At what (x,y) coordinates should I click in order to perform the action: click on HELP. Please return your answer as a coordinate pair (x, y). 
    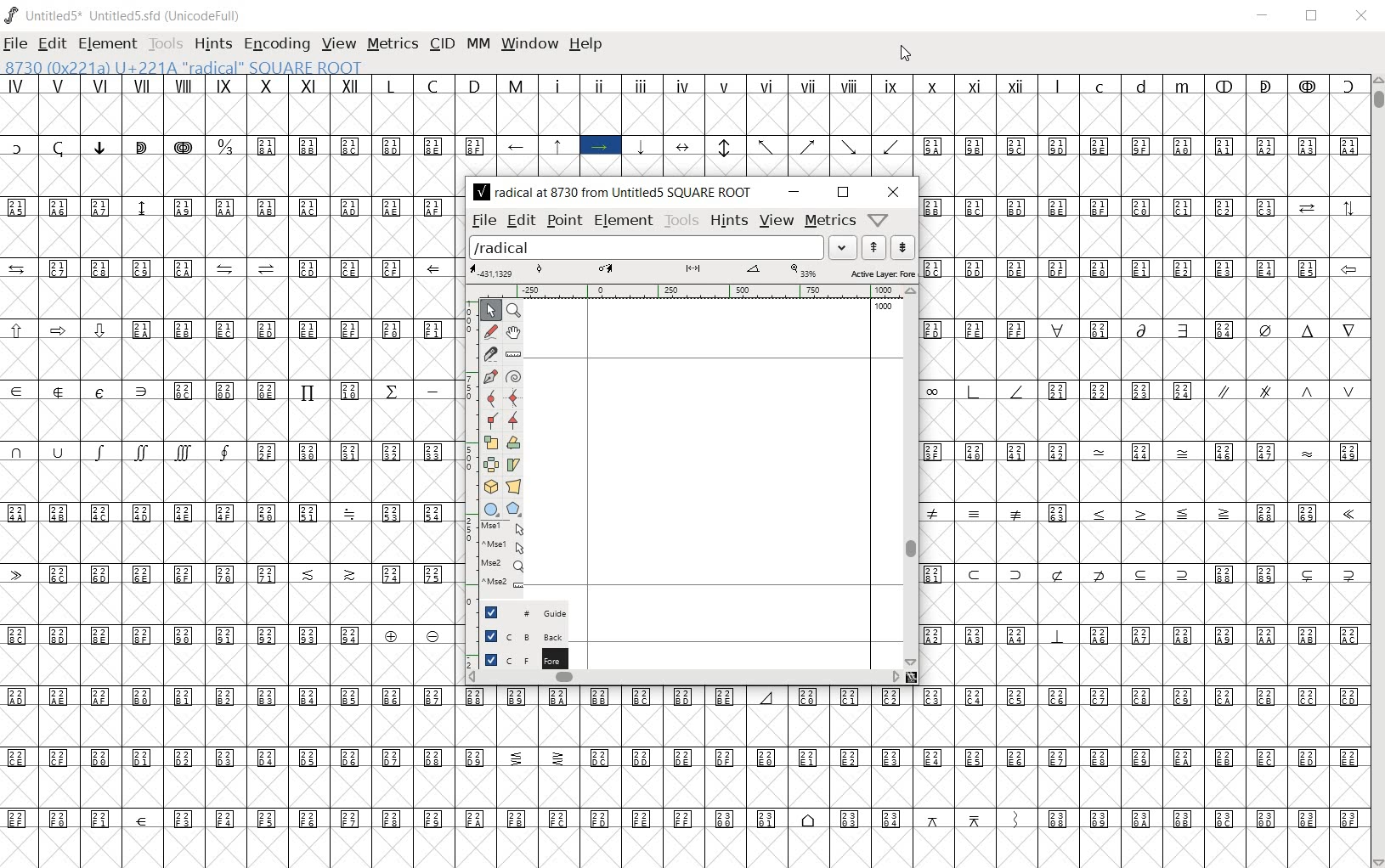
    Looking at the image, I should click on (586, 45).